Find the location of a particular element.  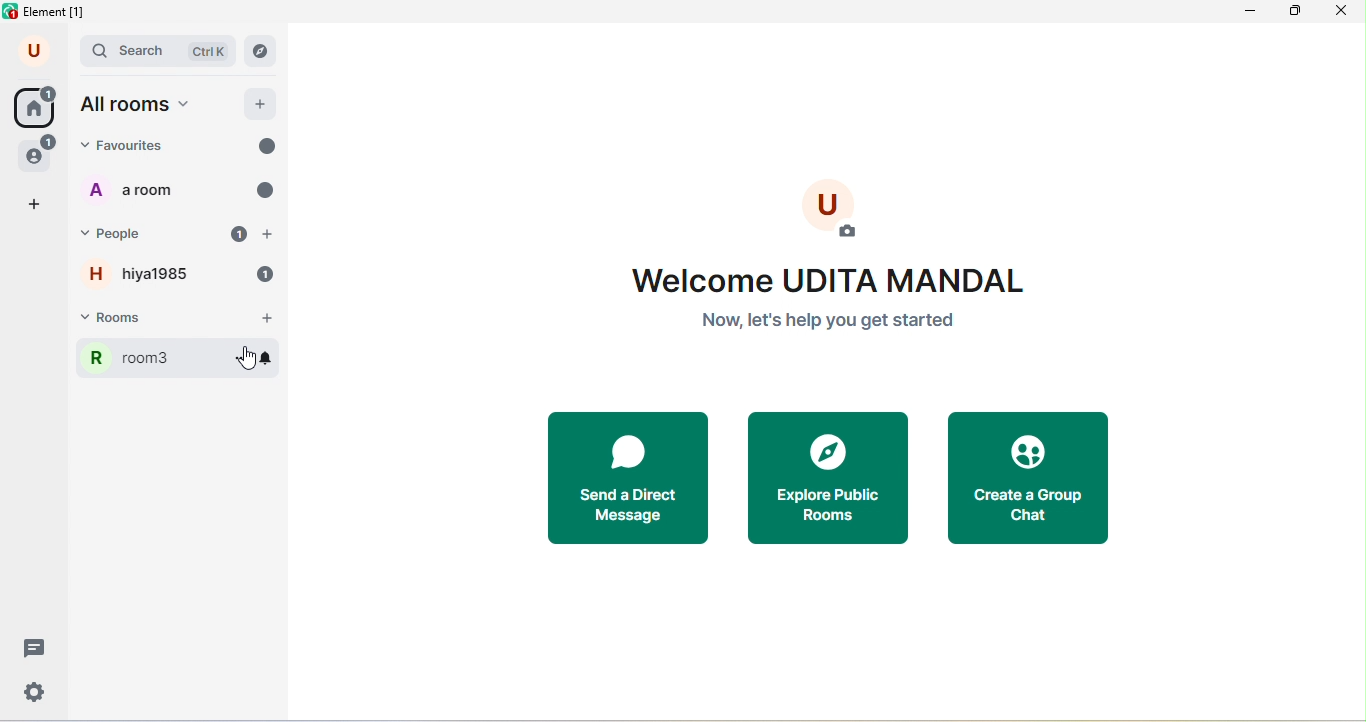

maximize is located at coordinates (1296, 14).